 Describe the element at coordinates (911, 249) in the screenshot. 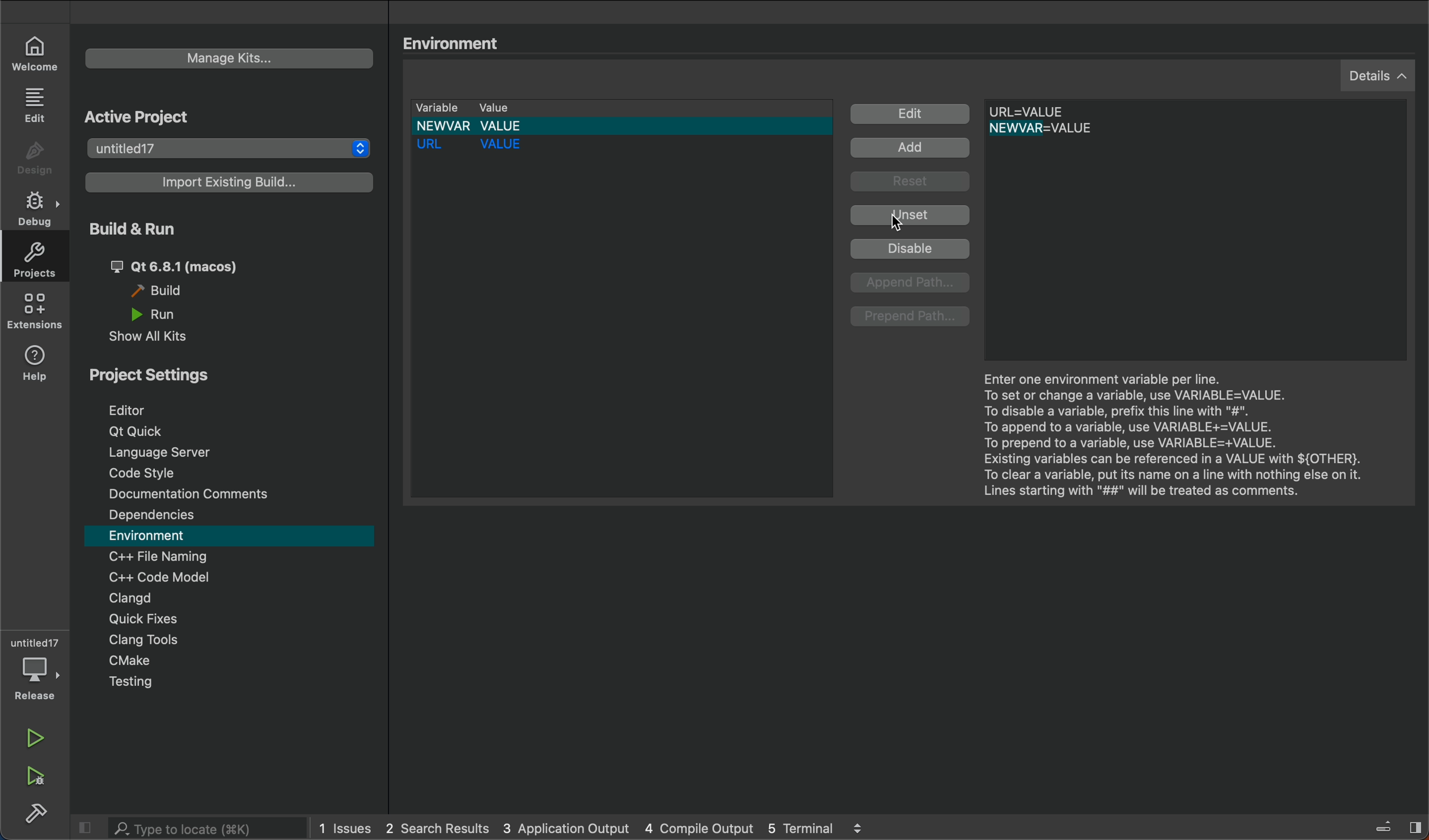

I see `disable` at that location.